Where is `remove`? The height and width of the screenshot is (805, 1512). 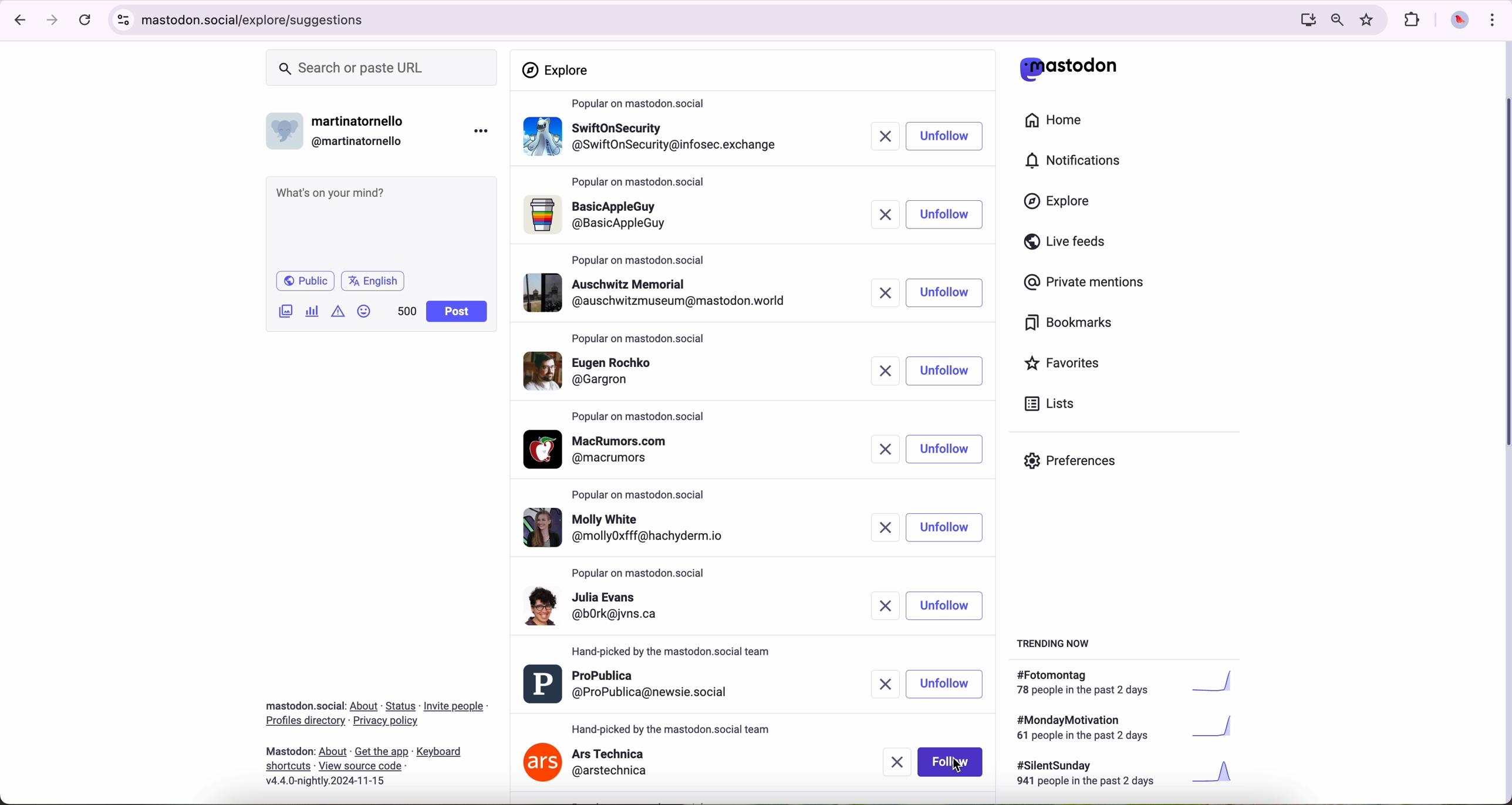
remove is located at coordinates (880, 681).